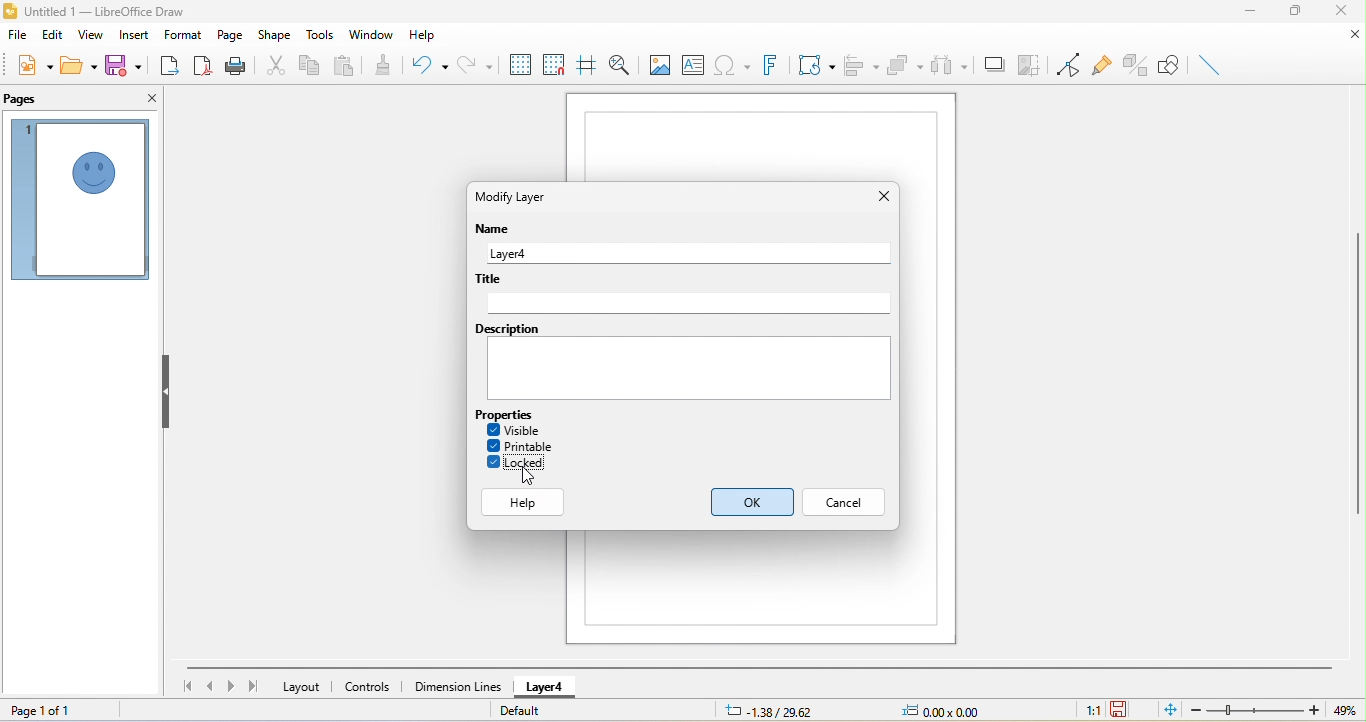 The width and height of the screenshot is (1366, 722). I want to click on cut, so click(274, 64).